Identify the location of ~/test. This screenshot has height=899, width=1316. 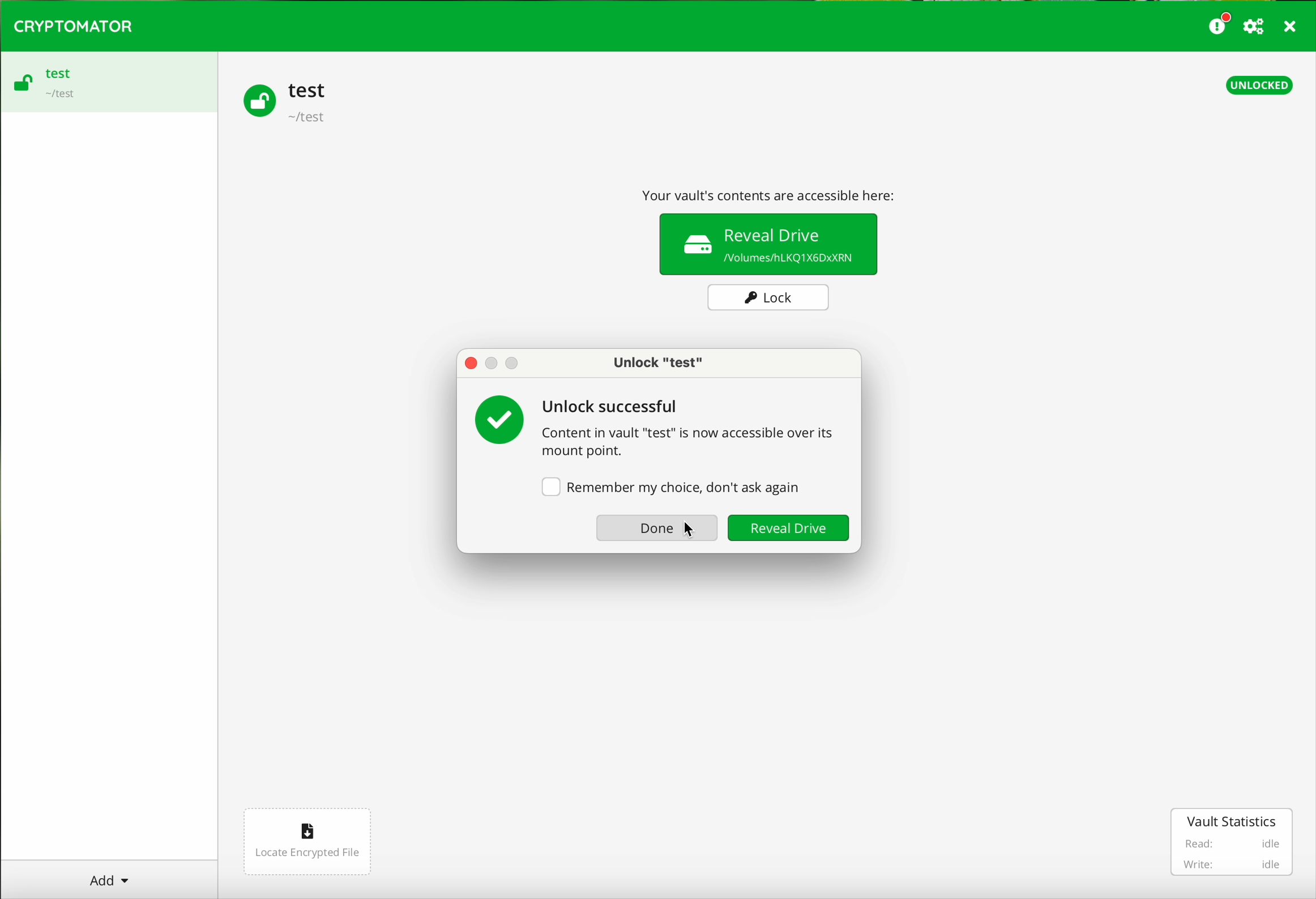
(58, 96).